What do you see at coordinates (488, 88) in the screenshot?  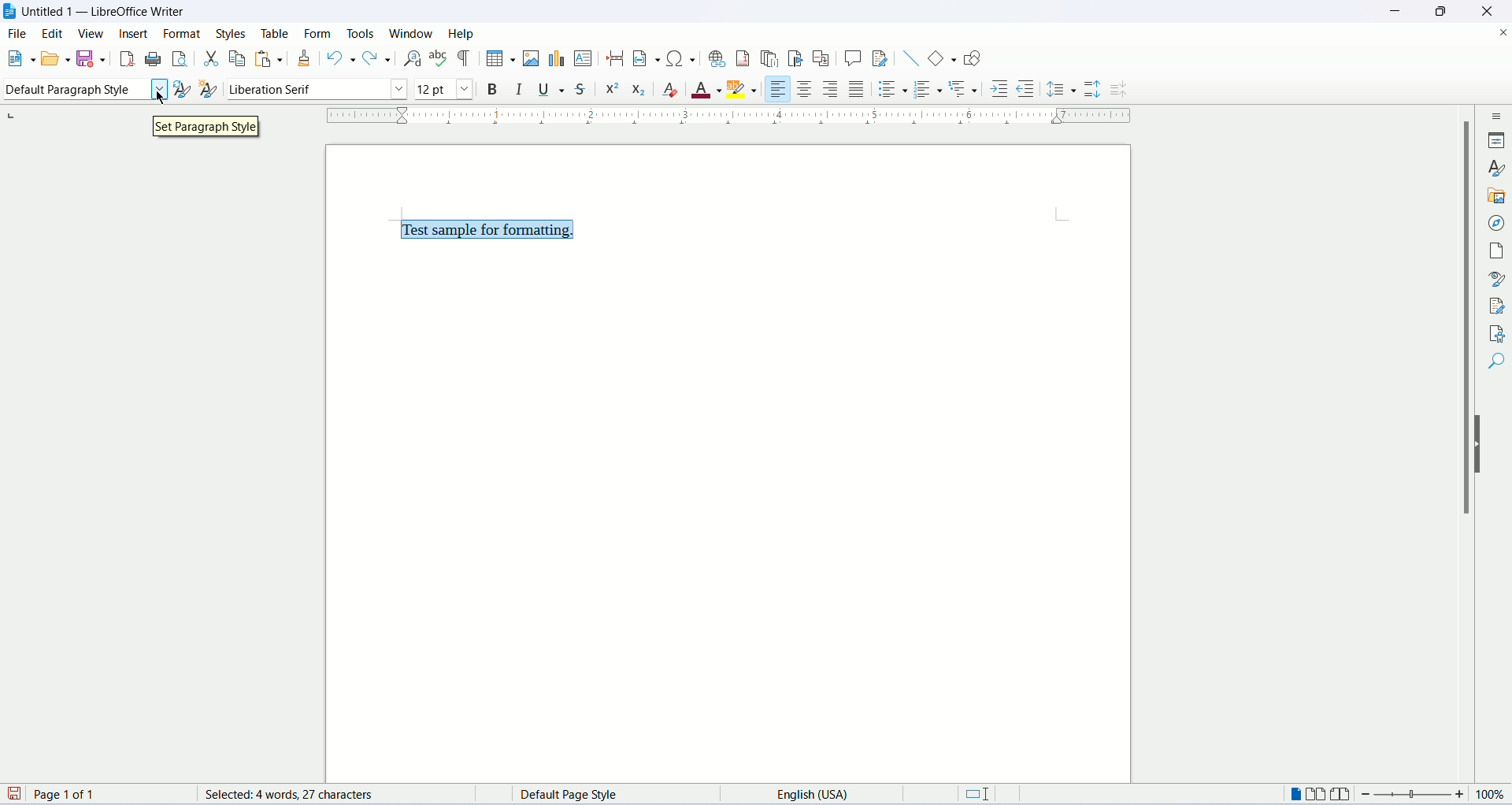 I see `bold` at bounding box center [488, 88].